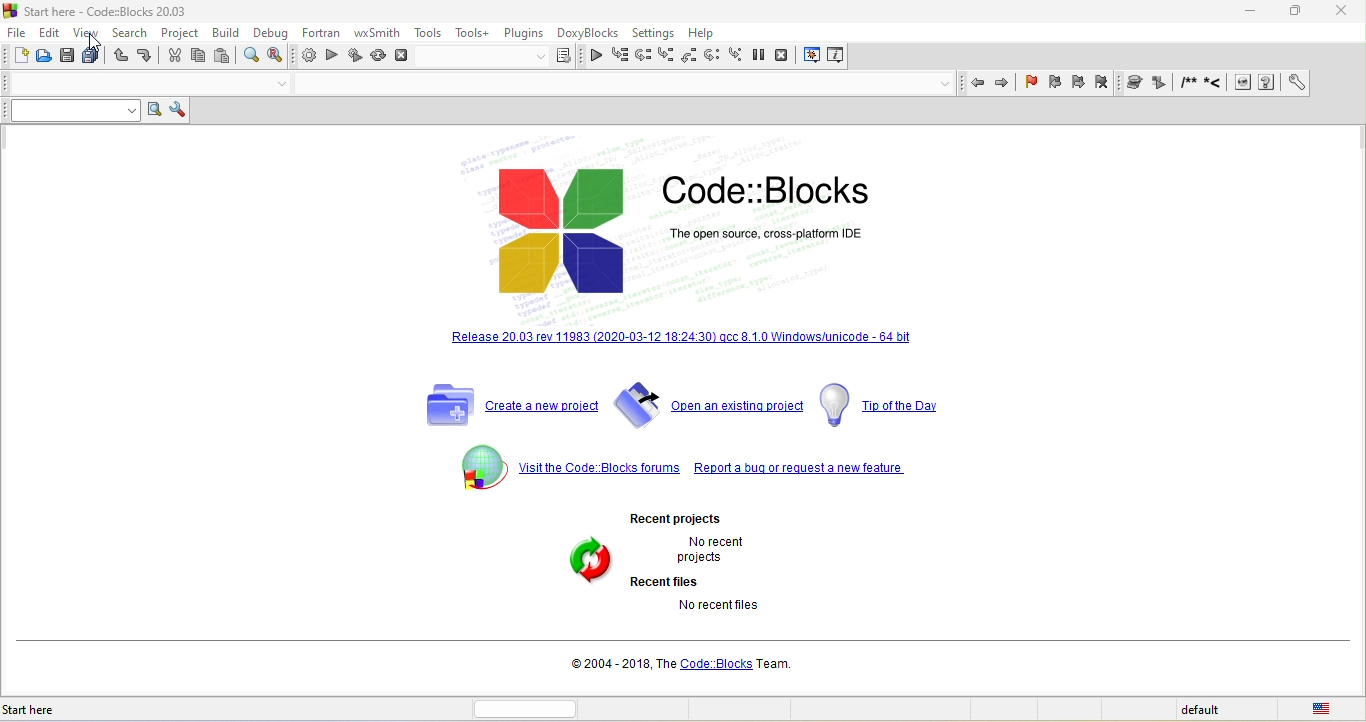 This screenshot has height=722, width=1366. What do you see at coordinates (503, 59) in the screenshot?
I see `select target dialogue` at bounding box center [503, 59].